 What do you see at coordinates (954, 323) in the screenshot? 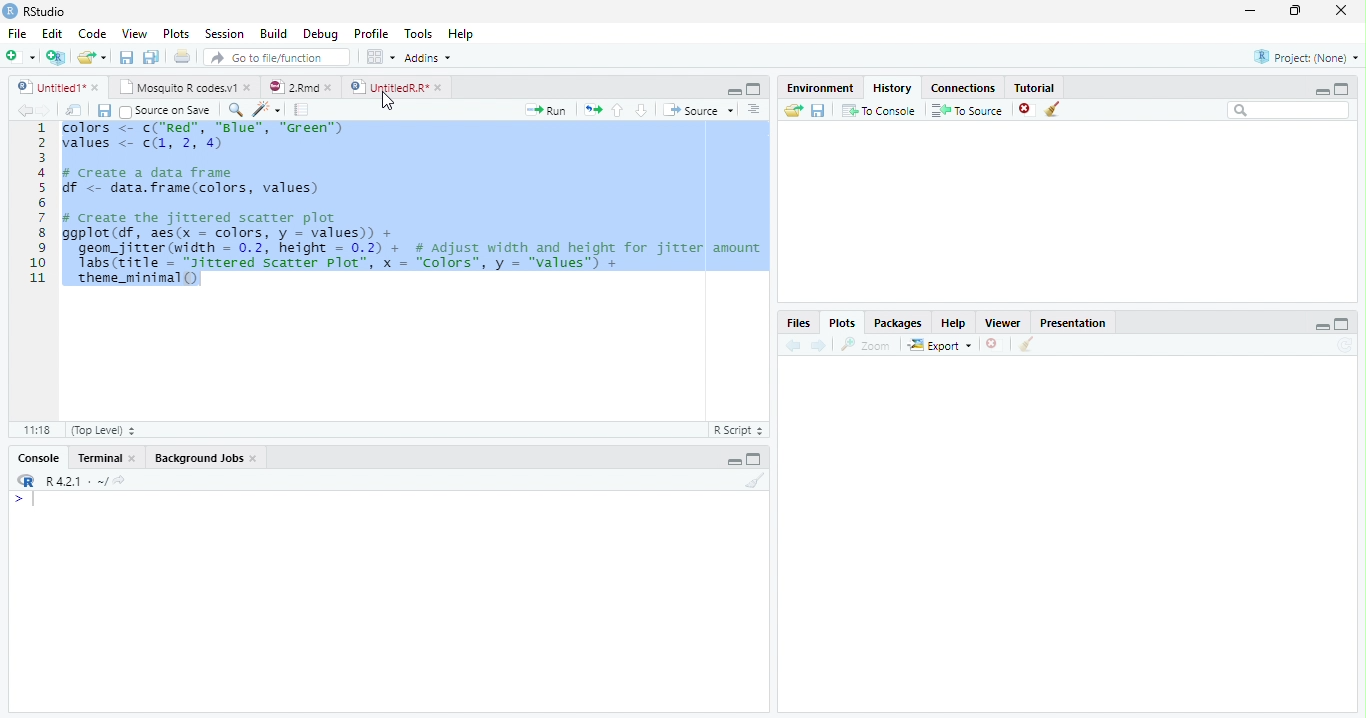
I see `Help` at bounding box center [954, 323].